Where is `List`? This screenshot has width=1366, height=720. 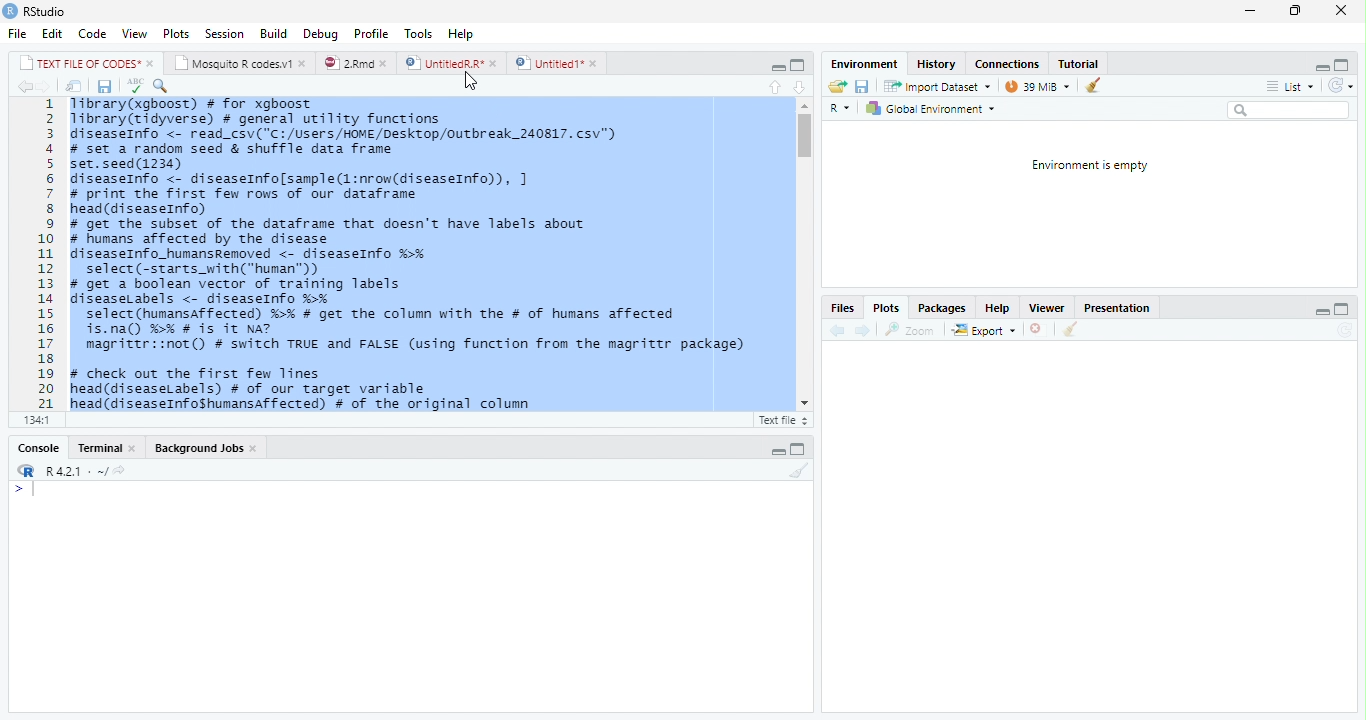
List is located at coordinates (1289, 85).